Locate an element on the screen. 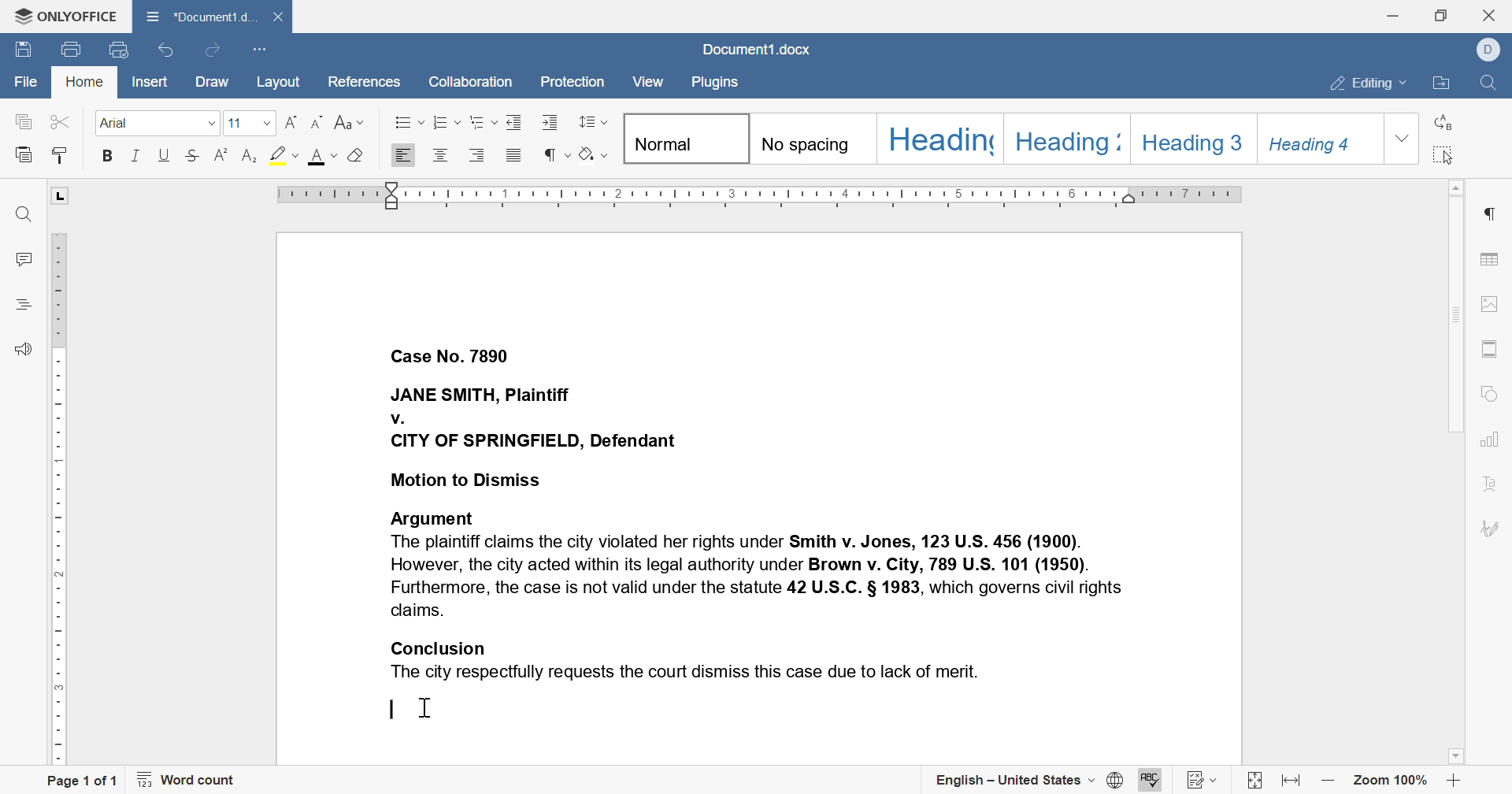  highlight color is located at coordinates (280, 152).